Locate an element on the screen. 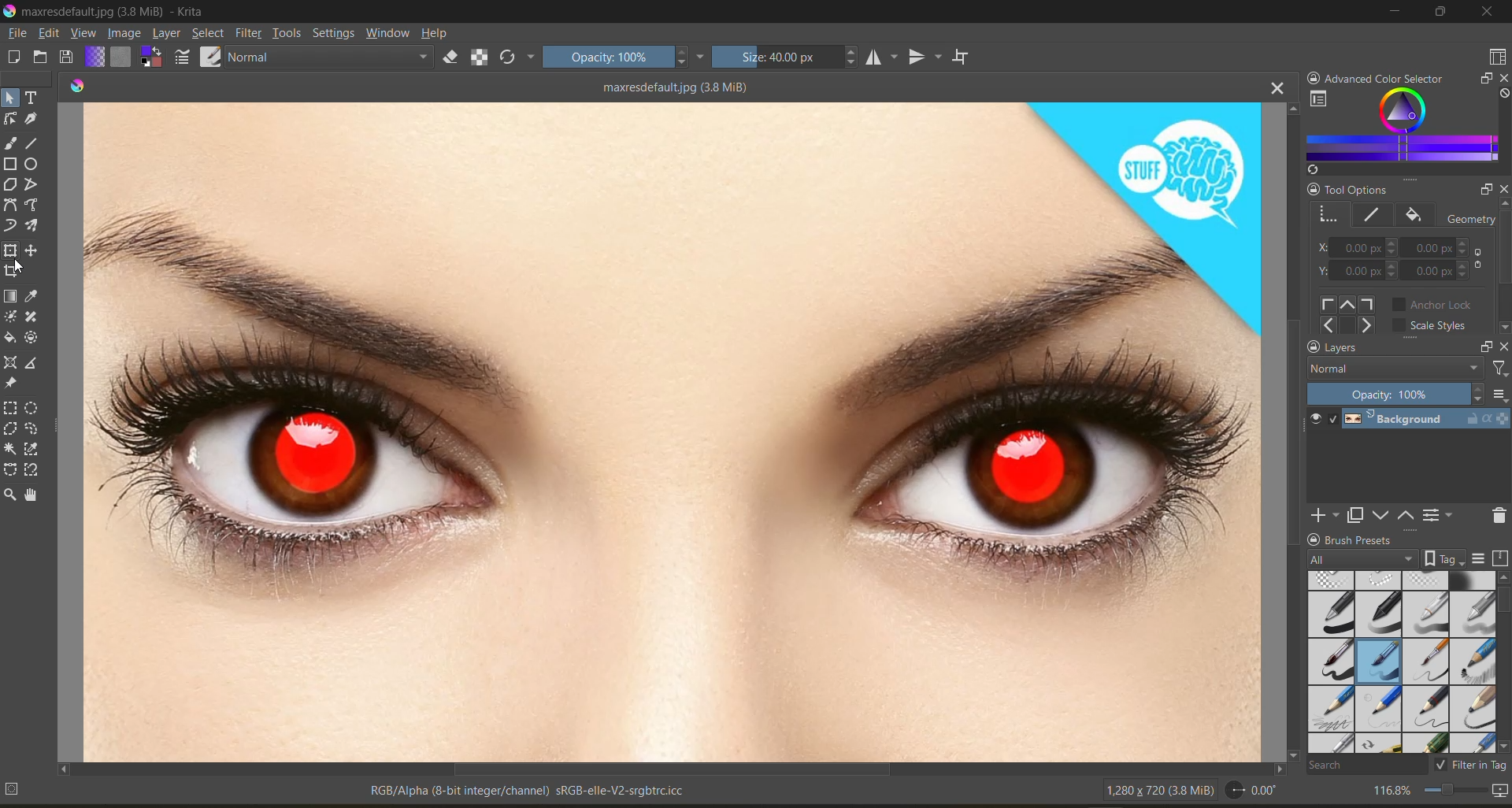 This screenshot has height=808, width=1512. duplicate layer or mask is located at coordinates (1354, 516).